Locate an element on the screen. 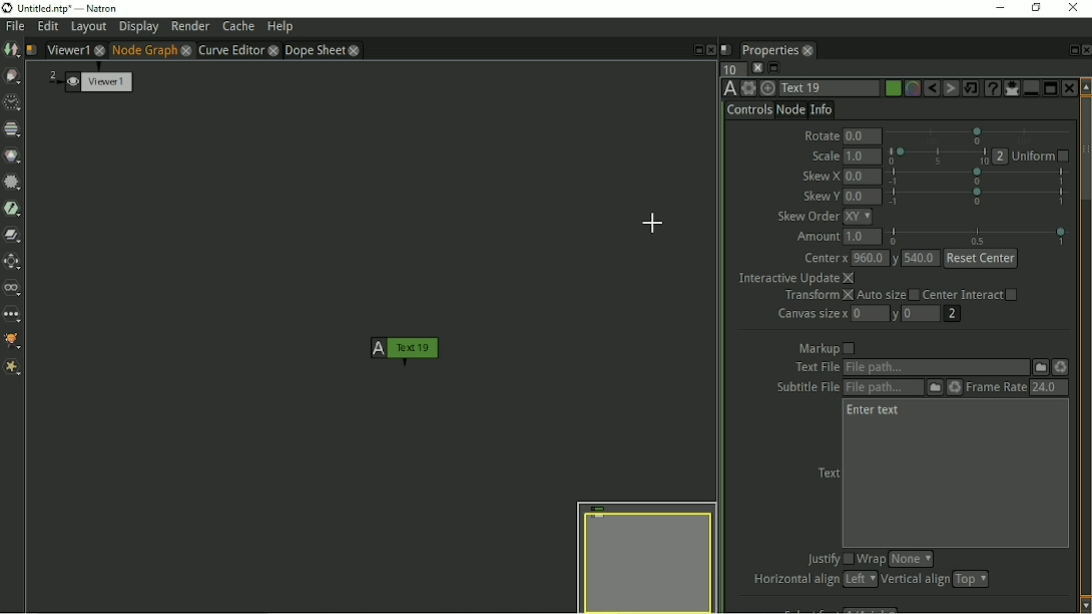 Image resolution: width=1092 pixels, height=614 pixels. Dope sheet is located at coordinates (315, 51).